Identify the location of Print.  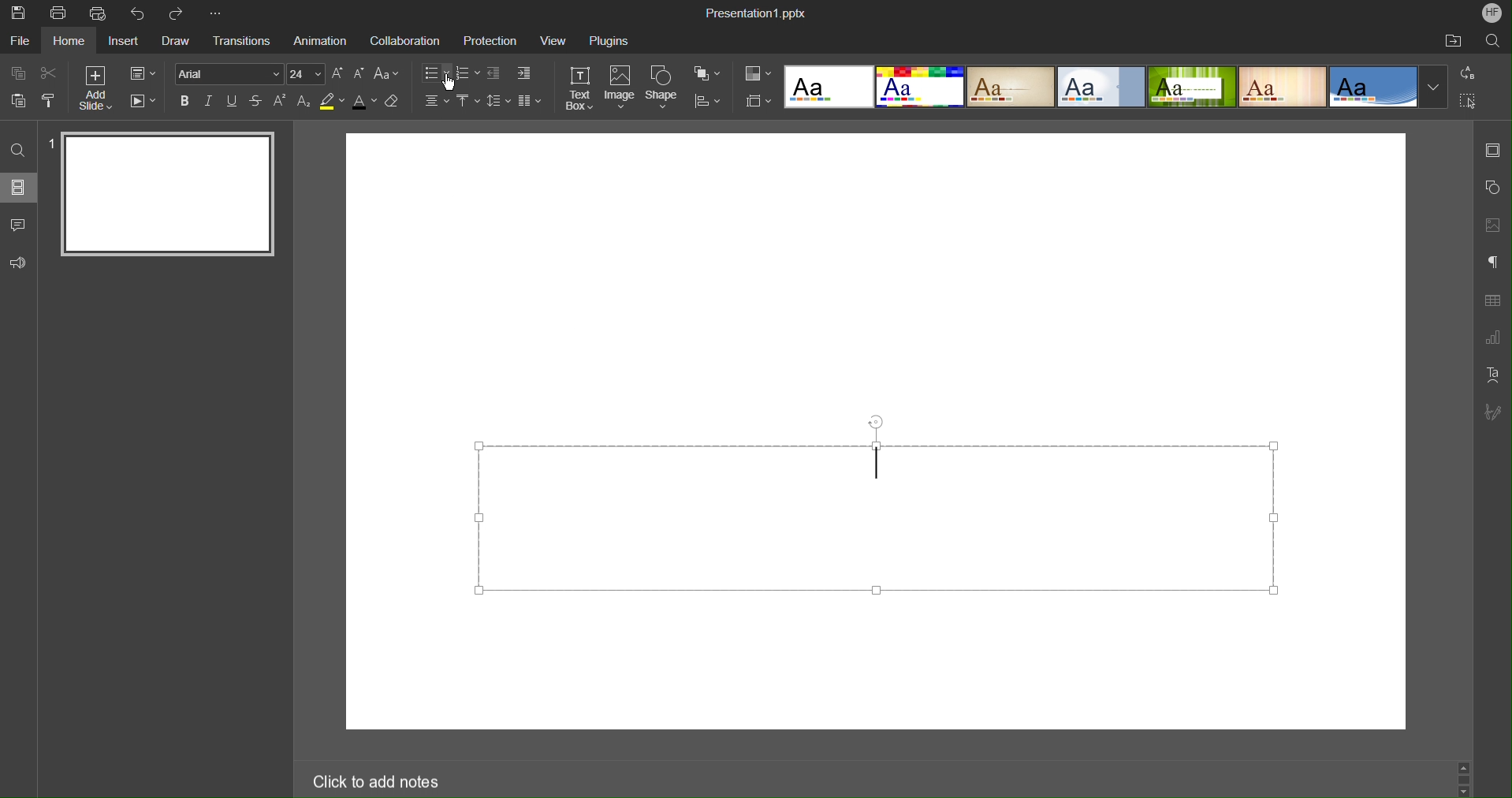
(58, 13).